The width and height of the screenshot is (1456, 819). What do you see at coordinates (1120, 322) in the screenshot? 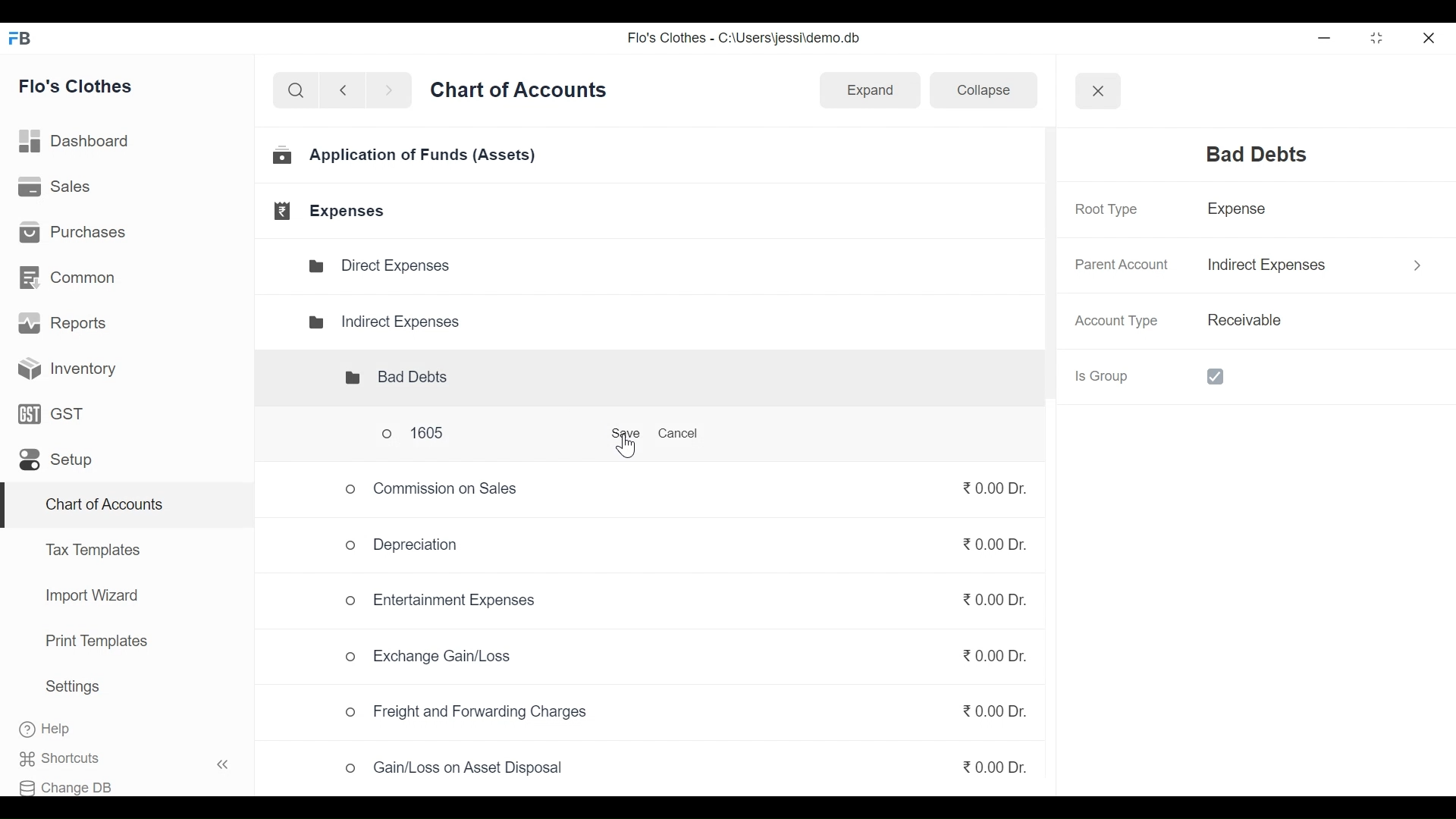
I see `Account Type` at bounding box center [1120, 322].